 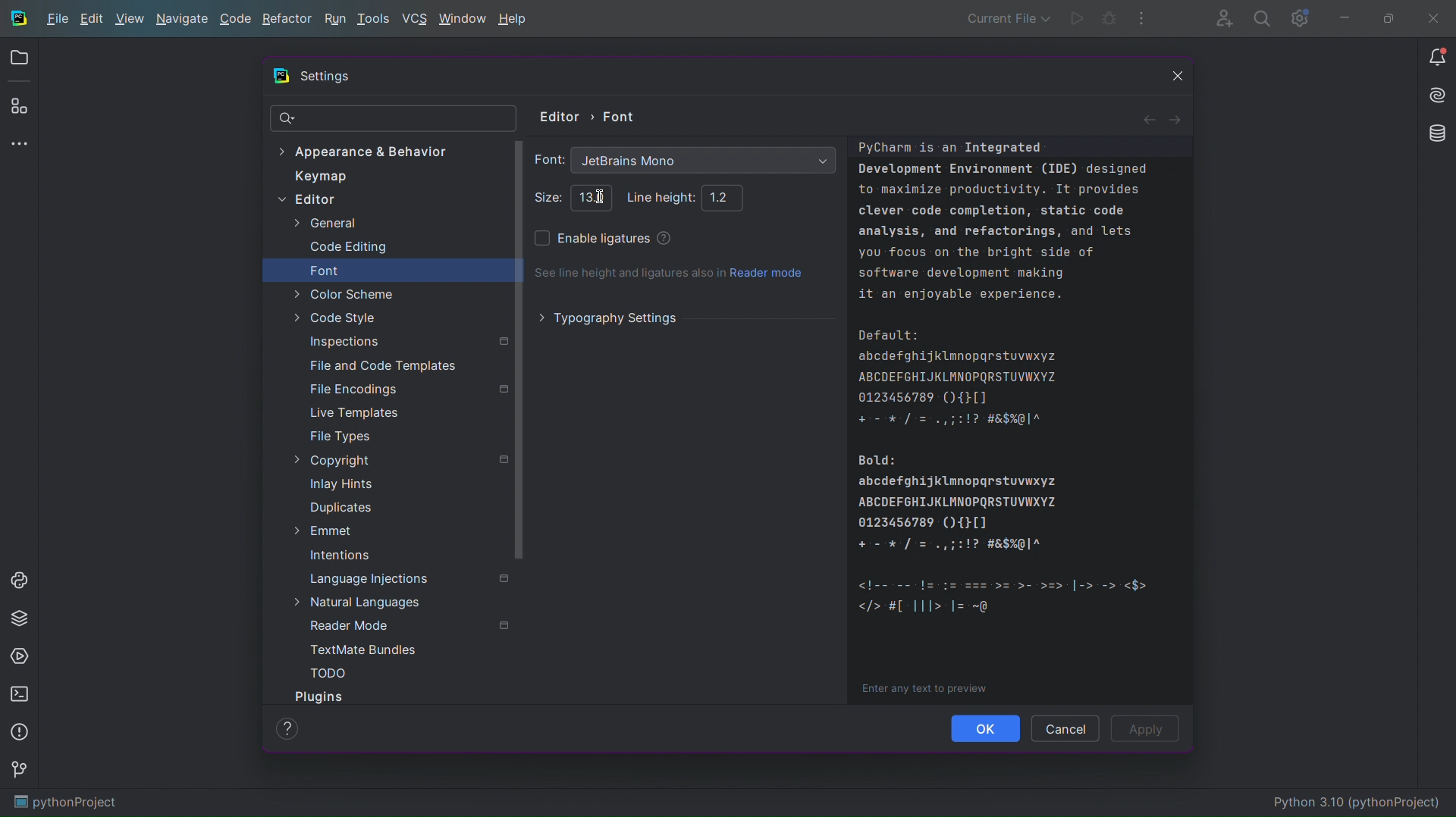 What do you see at coordinates (353, 412) in the screenshot?
I see `Live Templates` at bounding box center [353, 412].